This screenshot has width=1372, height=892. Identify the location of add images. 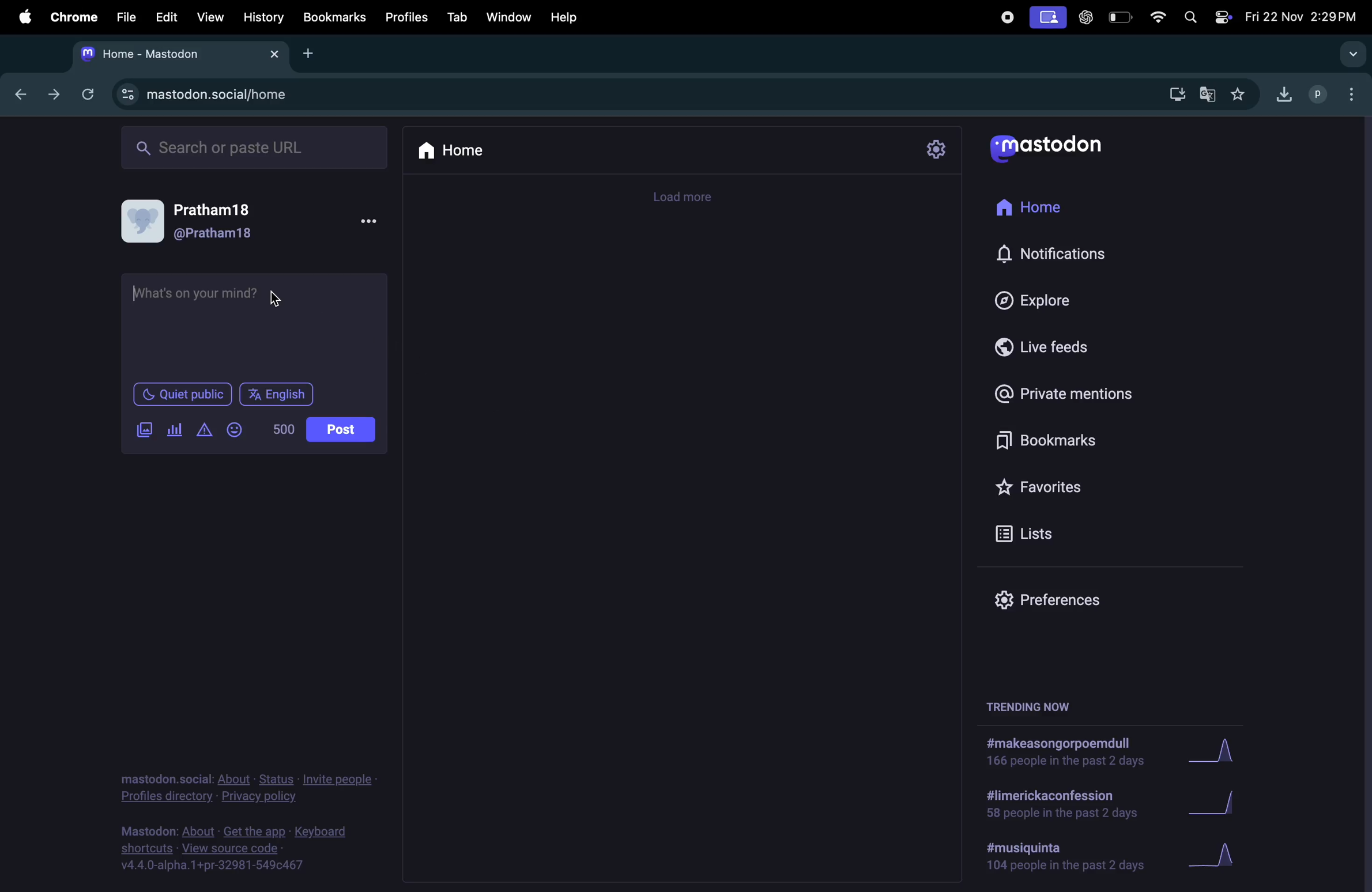
(142, 429).